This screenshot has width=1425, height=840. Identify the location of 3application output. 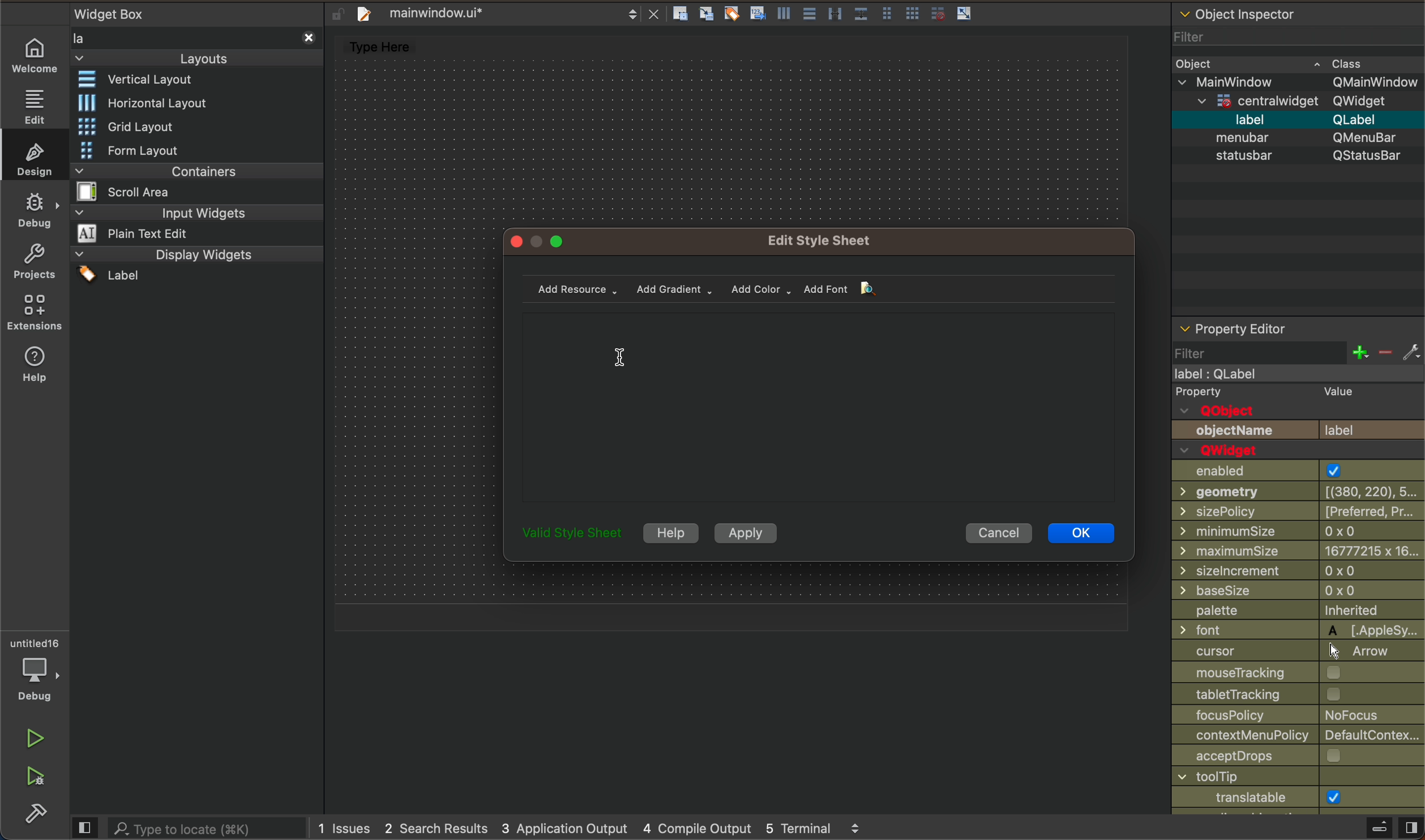
(570, 828).